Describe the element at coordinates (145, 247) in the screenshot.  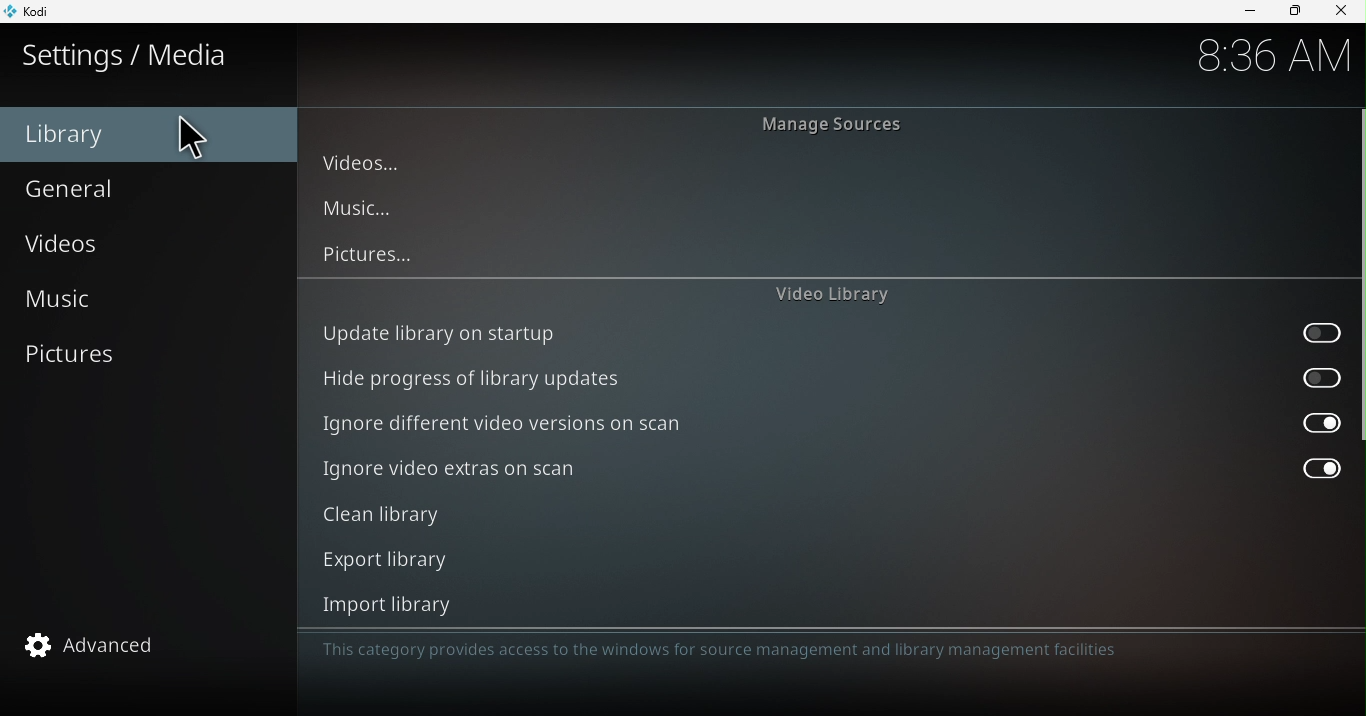
I see `Videos` at that location.